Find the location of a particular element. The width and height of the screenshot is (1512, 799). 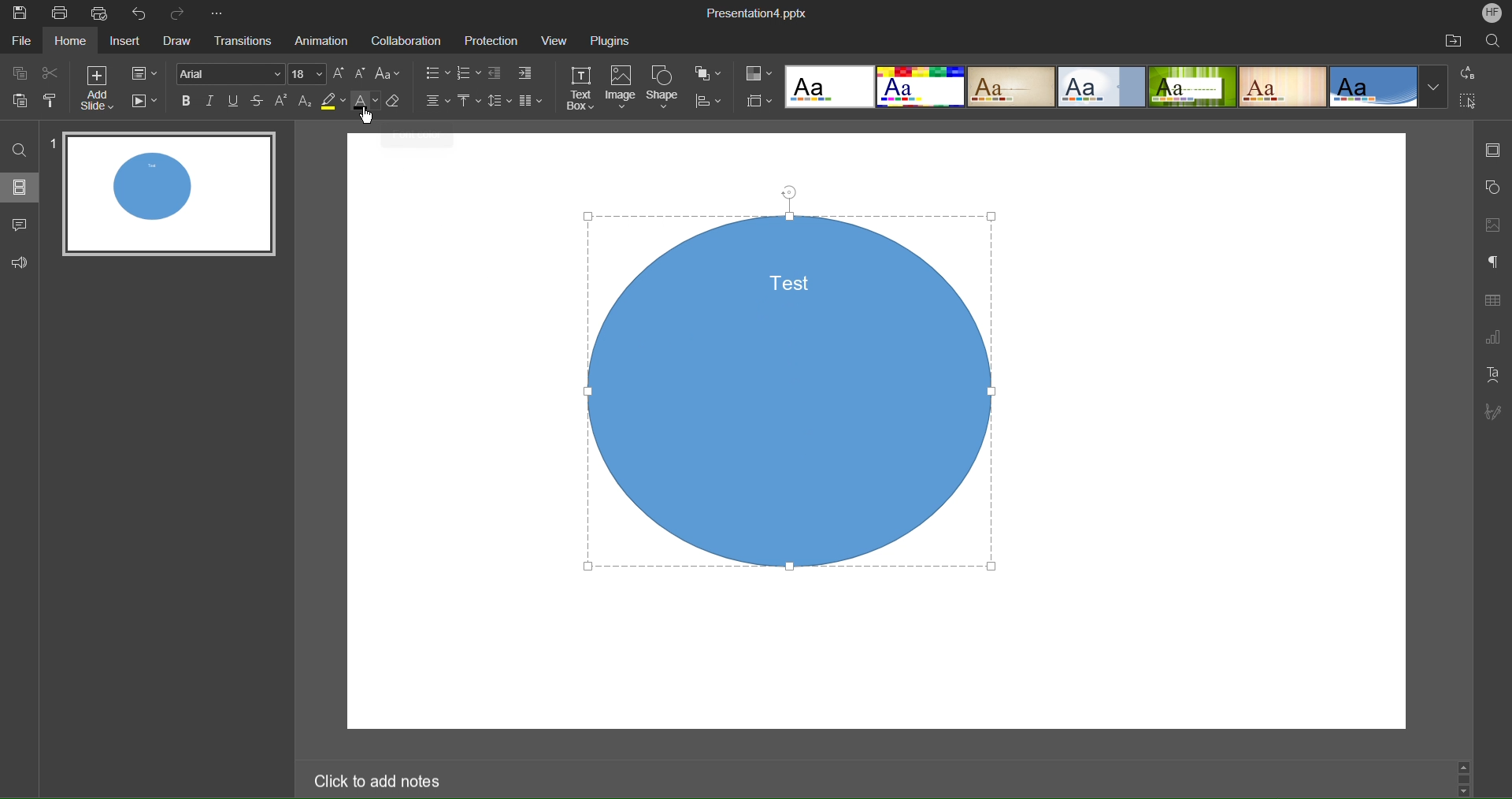

Animation is located at coordinates (319, 40).